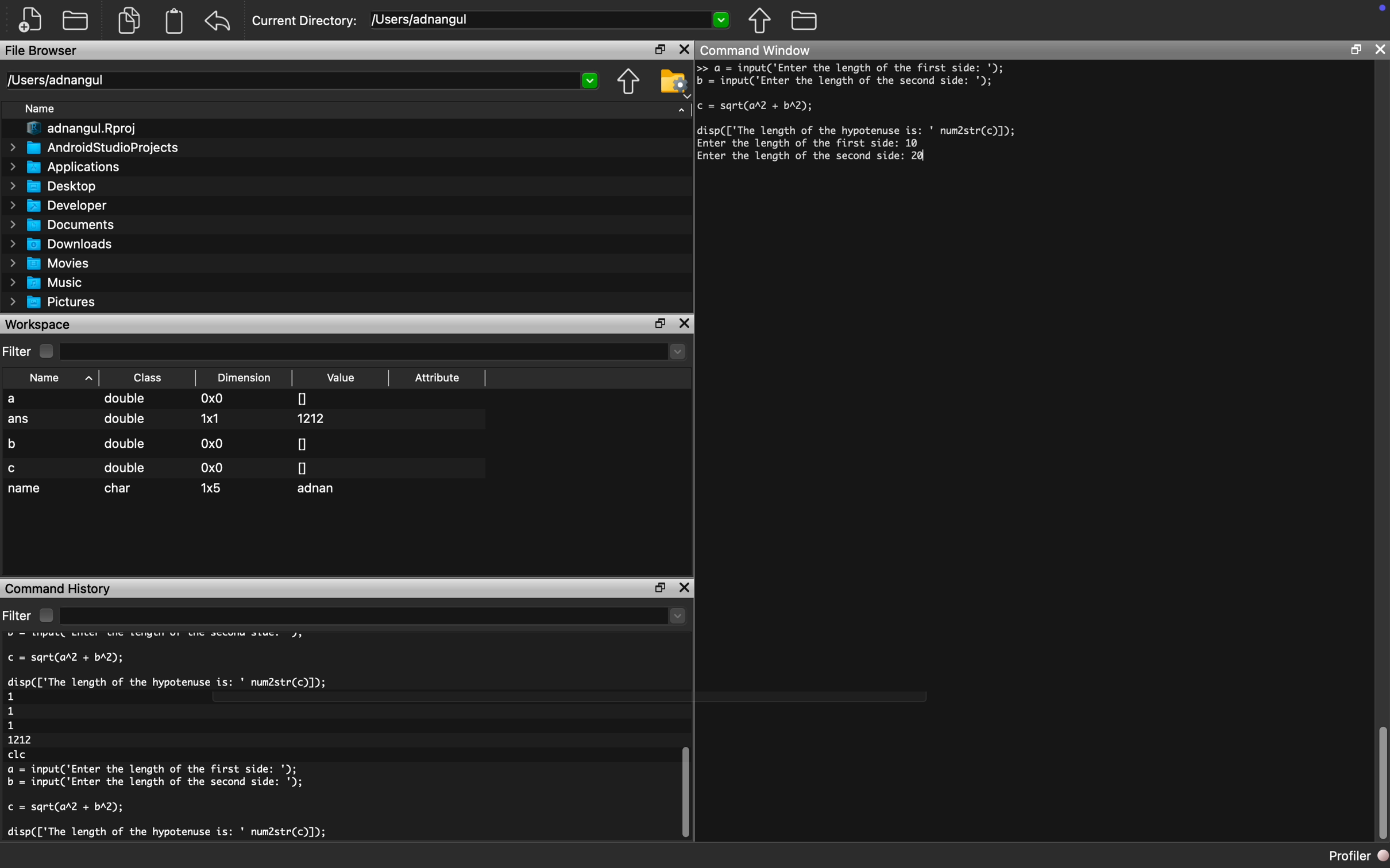 Image resolution: width=1390 pixels, height=868 pixels. Describe the element at coordinates (1381, 49) in the screenshot. I see `close` at that location.